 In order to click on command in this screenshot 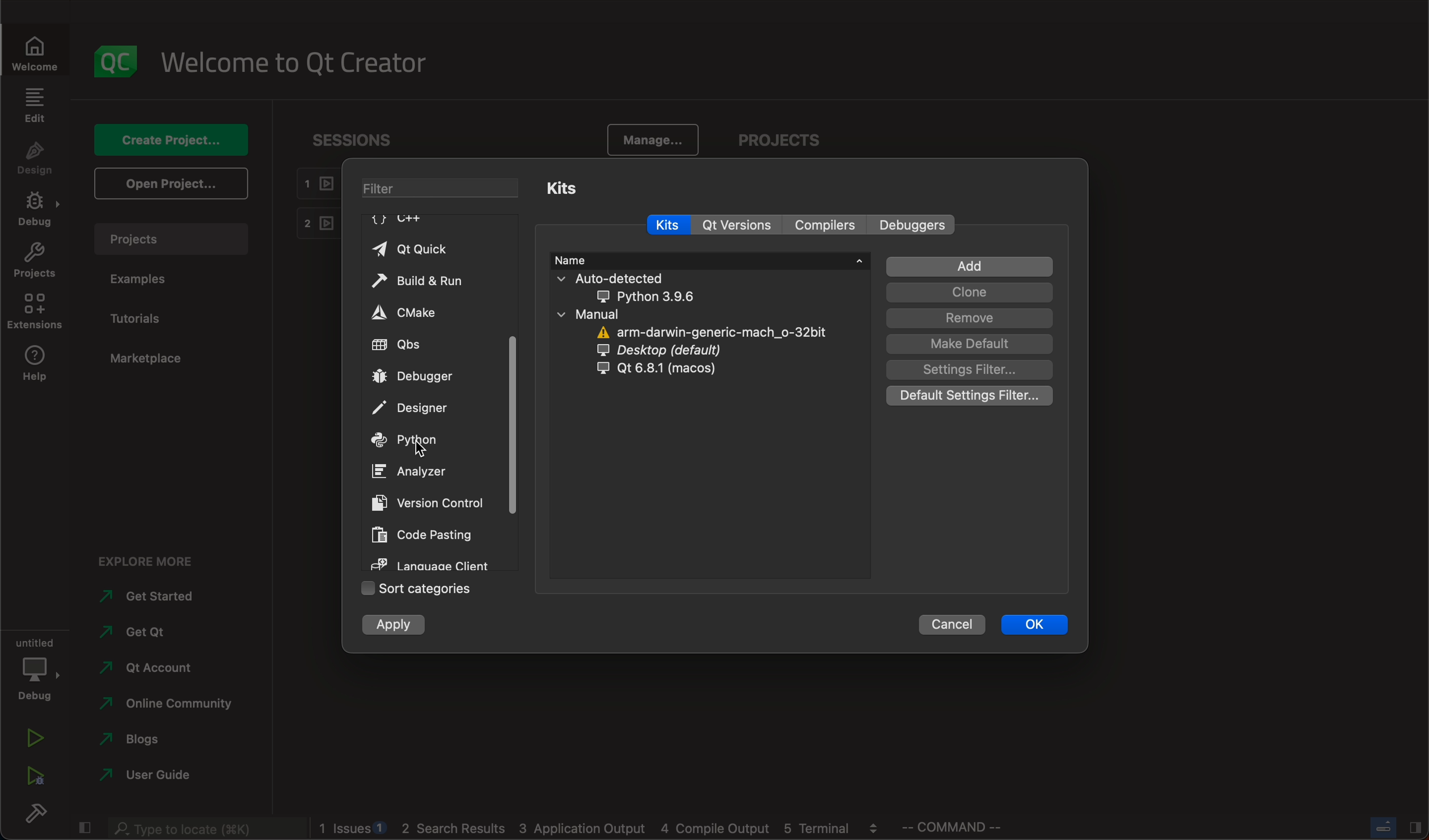, I will do `click(951, 826)`.